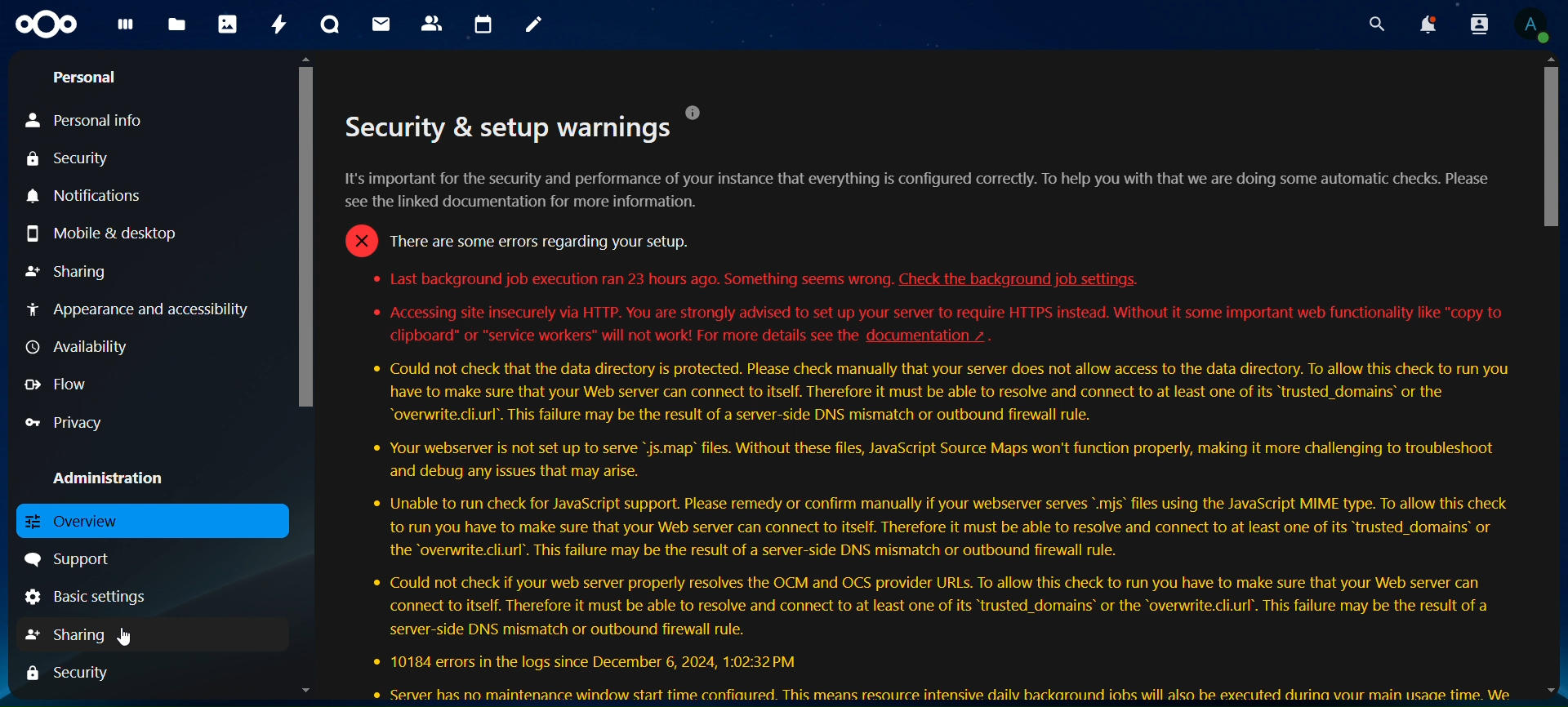 The image size is (1568, 707). I want to click on overview, so click(73, 522).